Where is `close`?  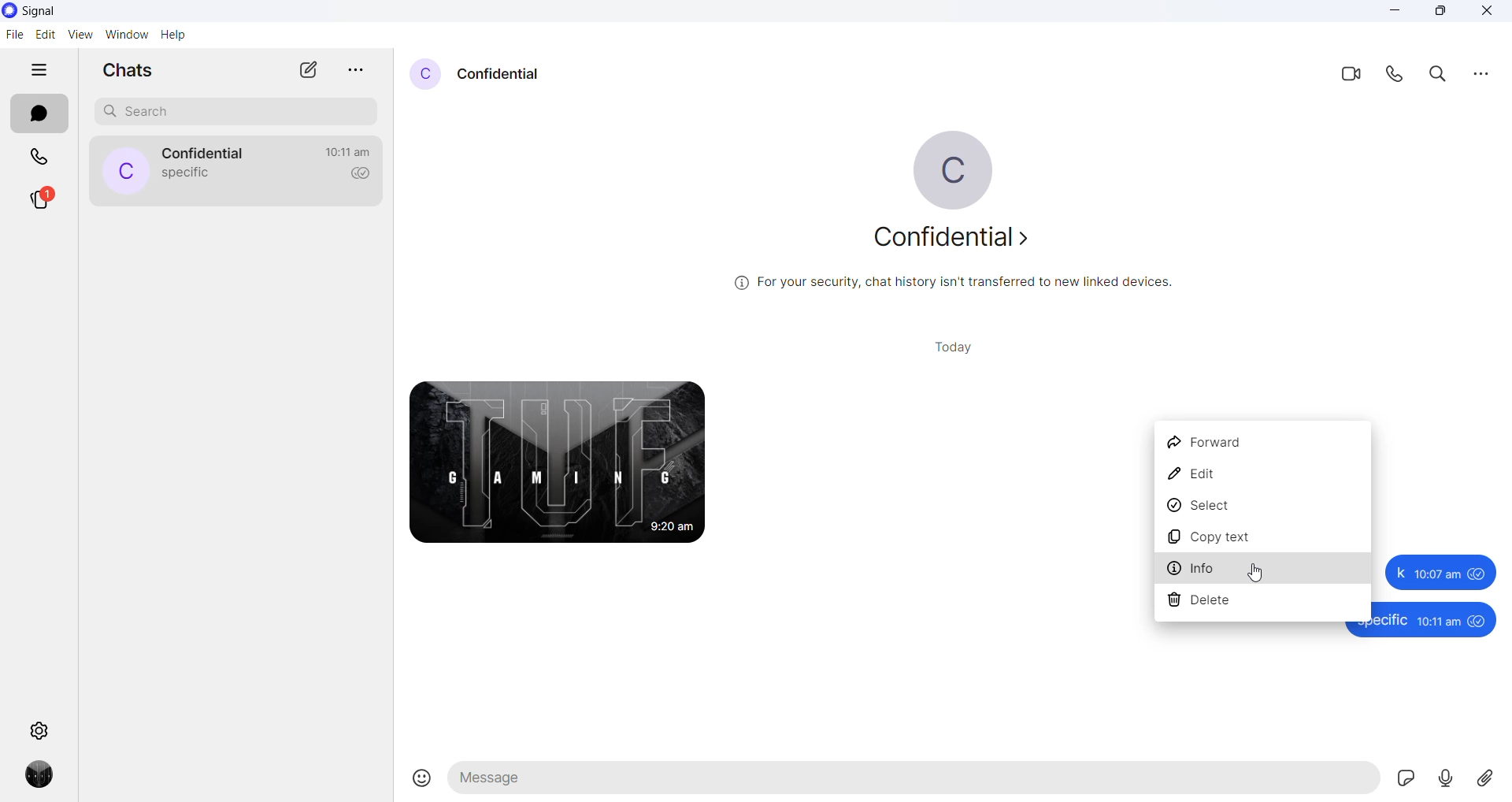 close is located at coordinates (1492, 13).